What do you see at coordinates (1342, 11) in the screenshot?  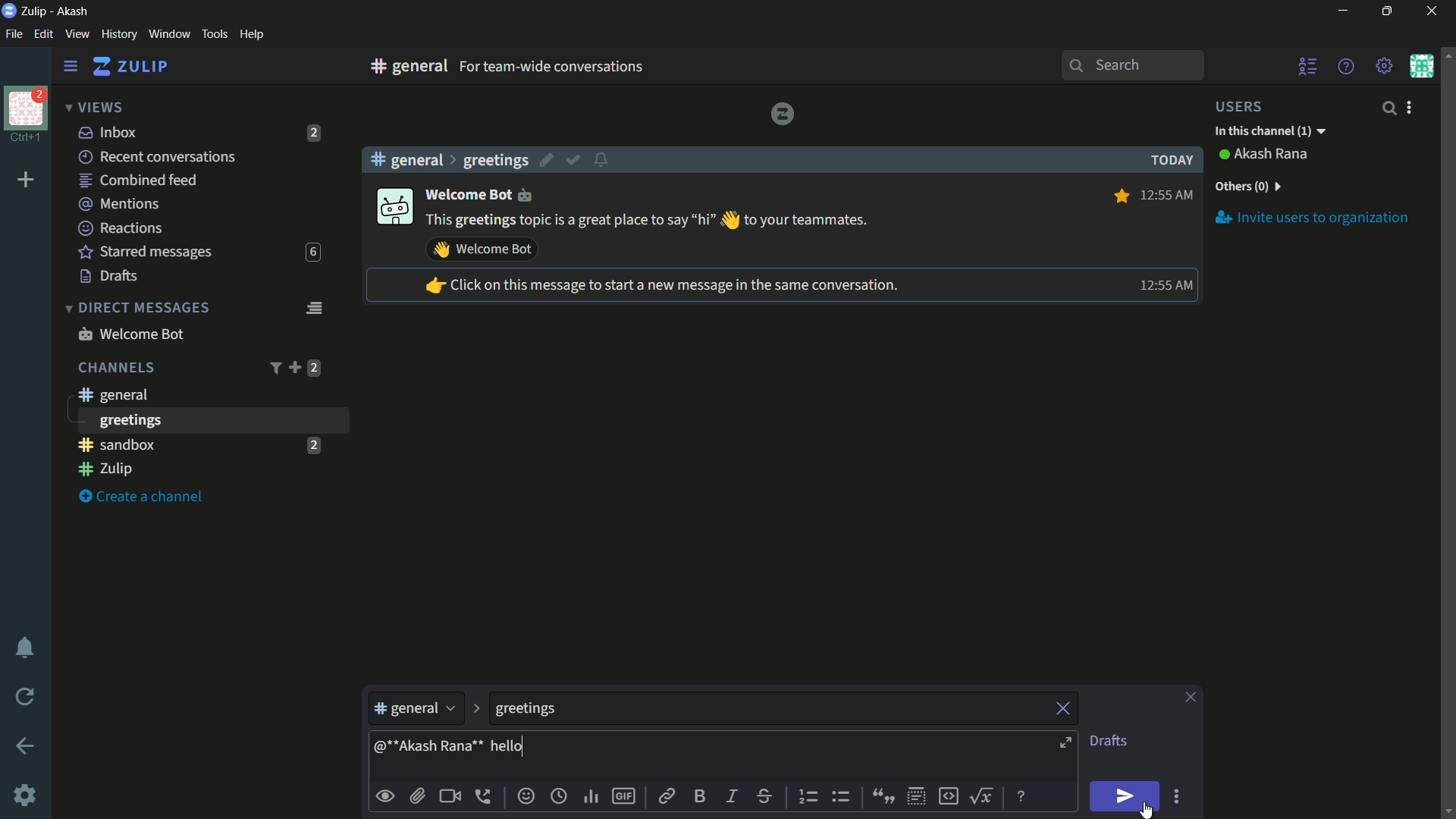 I see `minimize` at bounding box center [1342, 11].